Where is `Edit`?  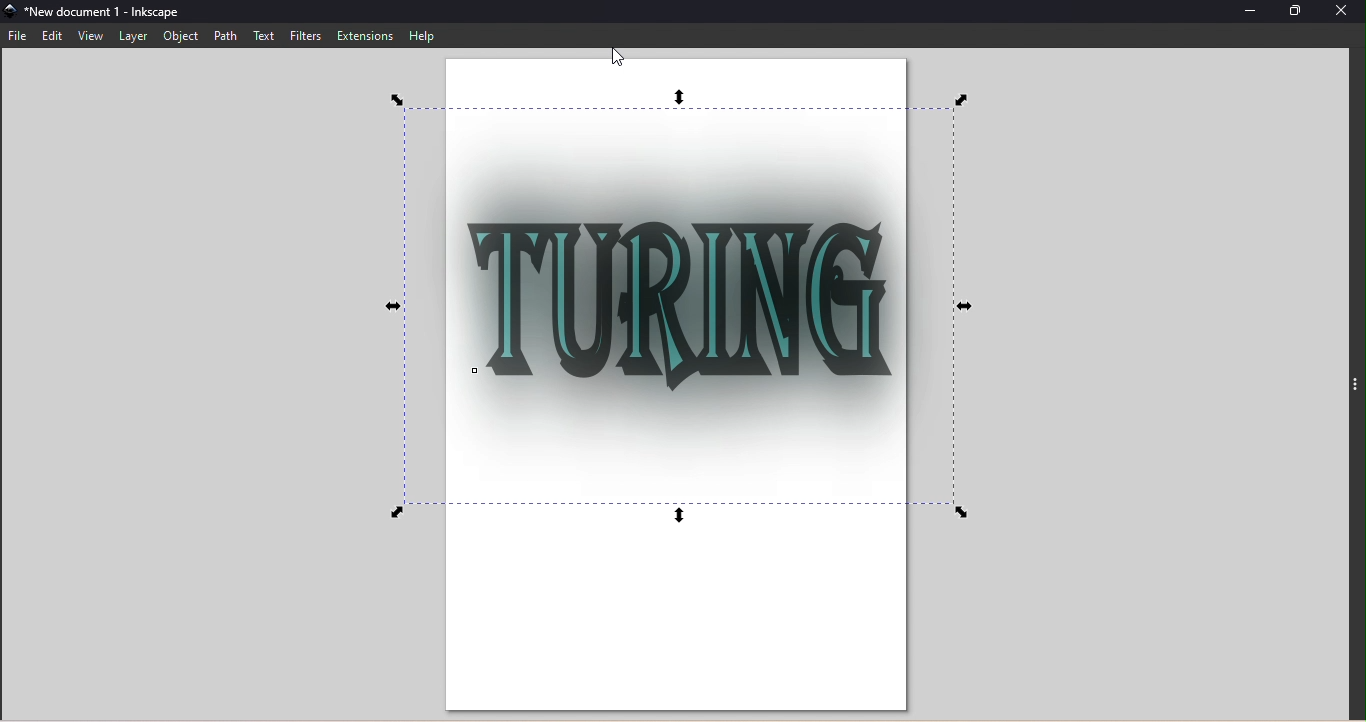
Edit is located at coordinates (54, 36).